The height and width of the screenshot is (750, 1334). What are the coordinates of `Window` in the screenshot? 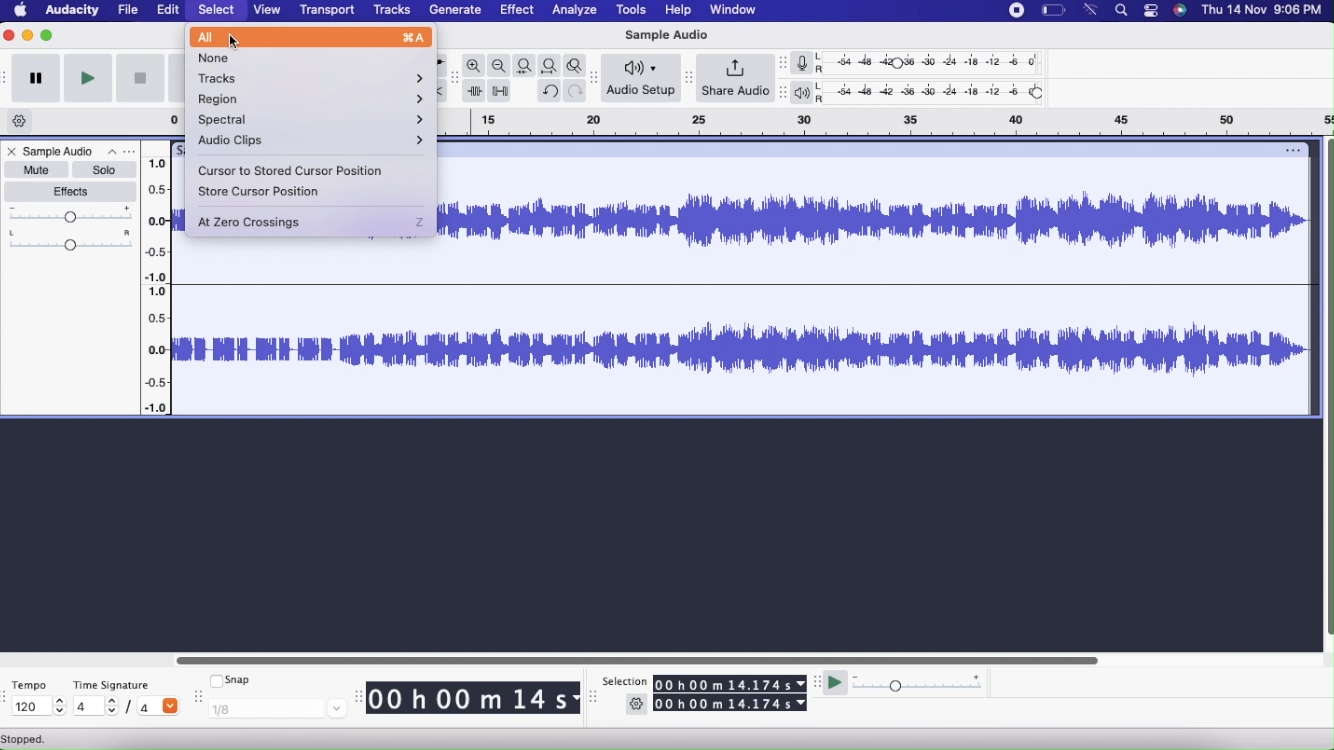 It's located at (735, 10).